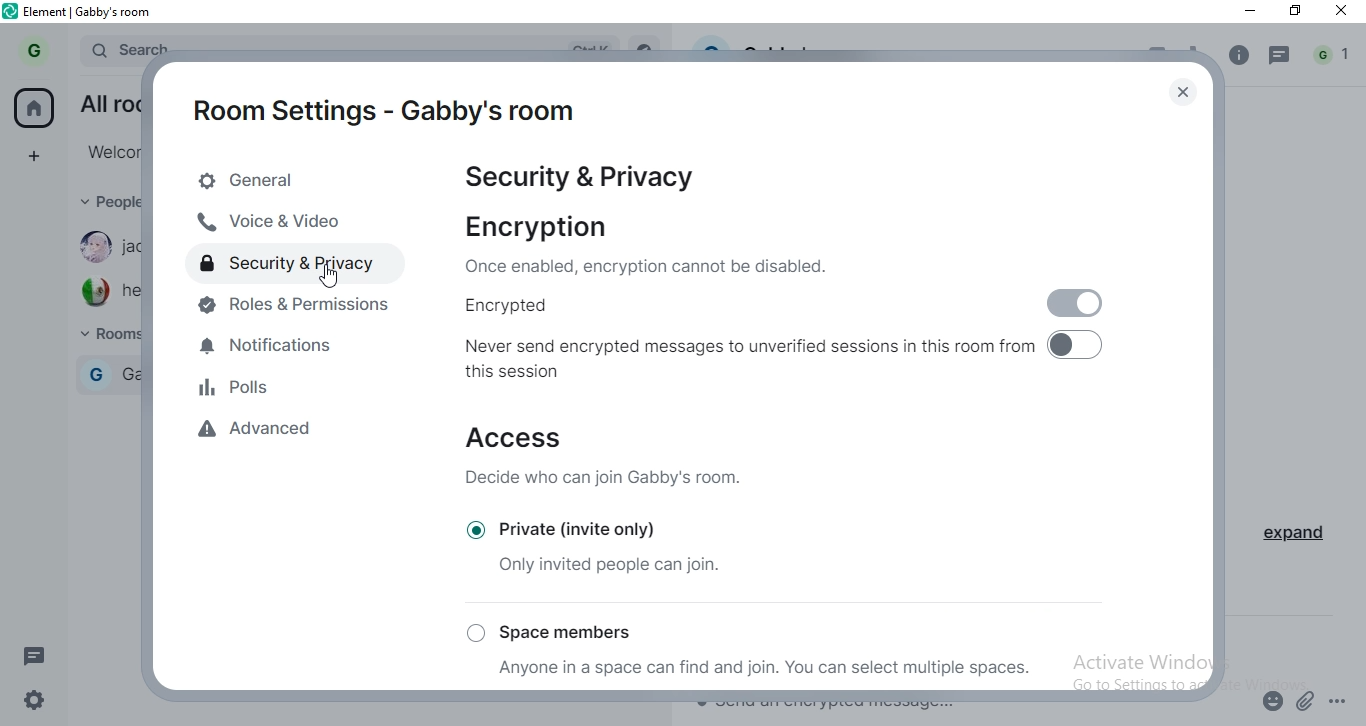  Describe the element at coordinates (270, 435) in the screenshot. I see `advanced` at that location.